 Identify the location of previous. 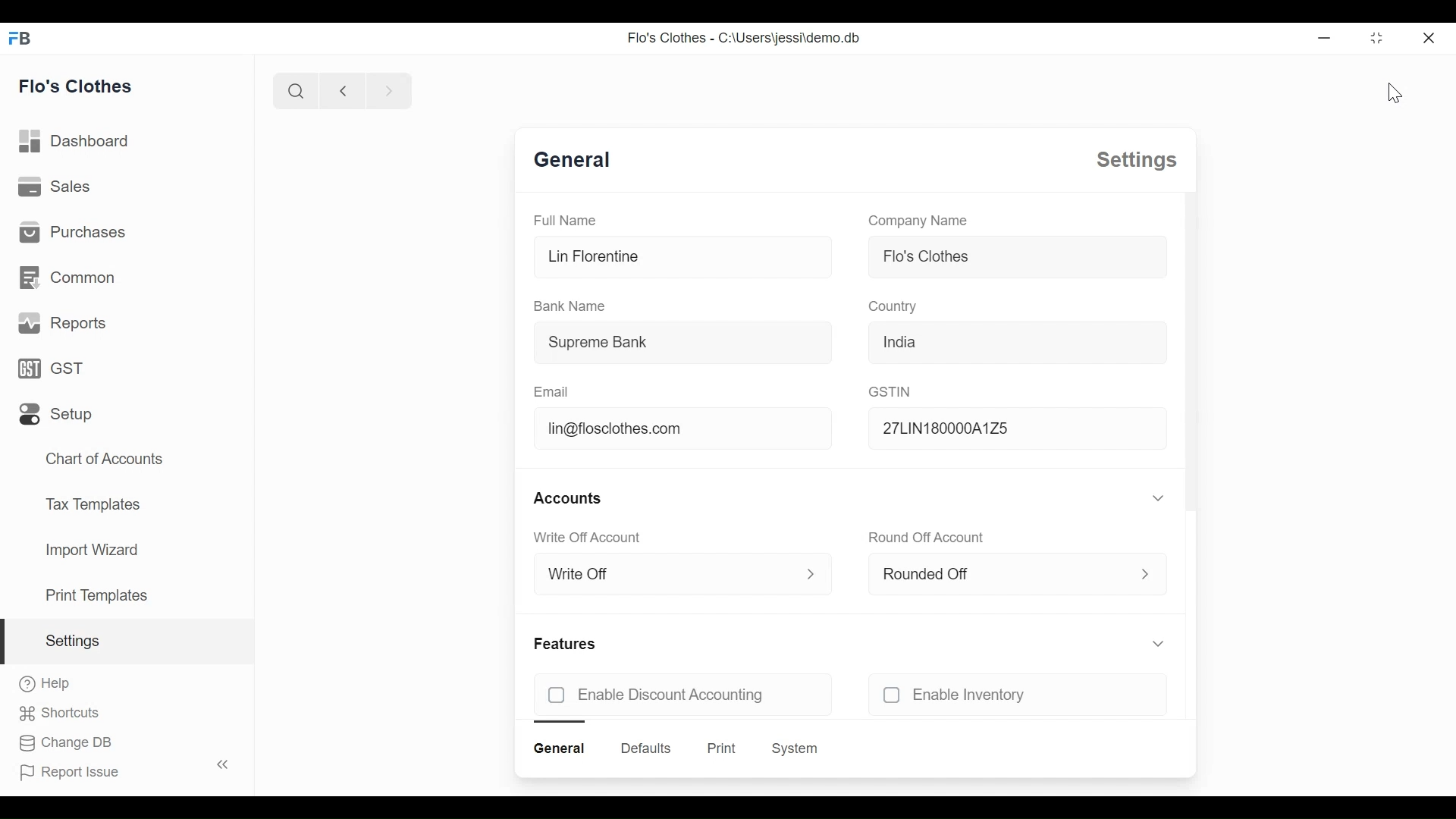
(343, 90).